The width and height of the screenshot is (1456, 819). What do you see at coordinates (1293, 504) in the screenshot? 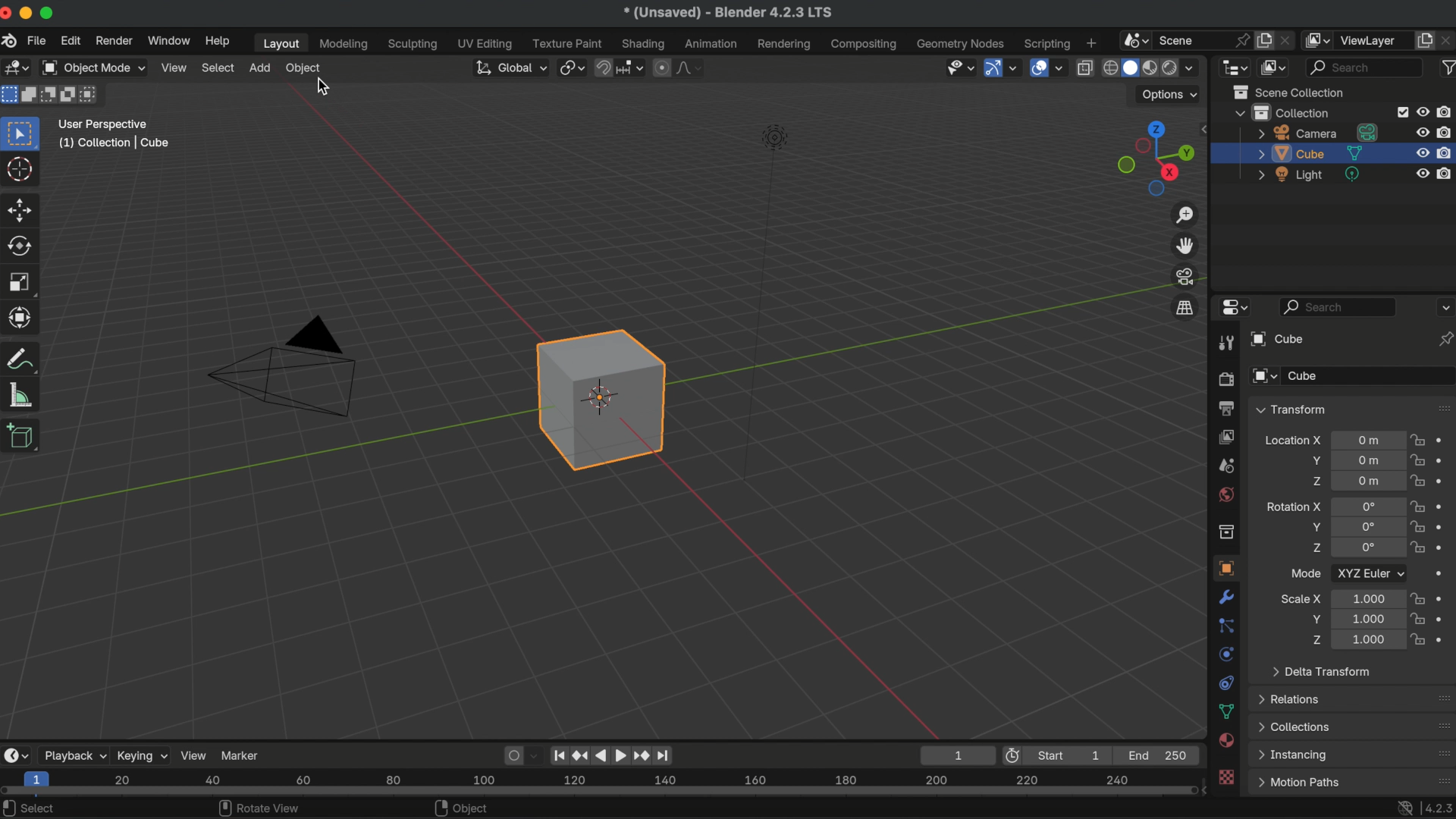
I see `rotation X` at bounding box center [1293, 504].